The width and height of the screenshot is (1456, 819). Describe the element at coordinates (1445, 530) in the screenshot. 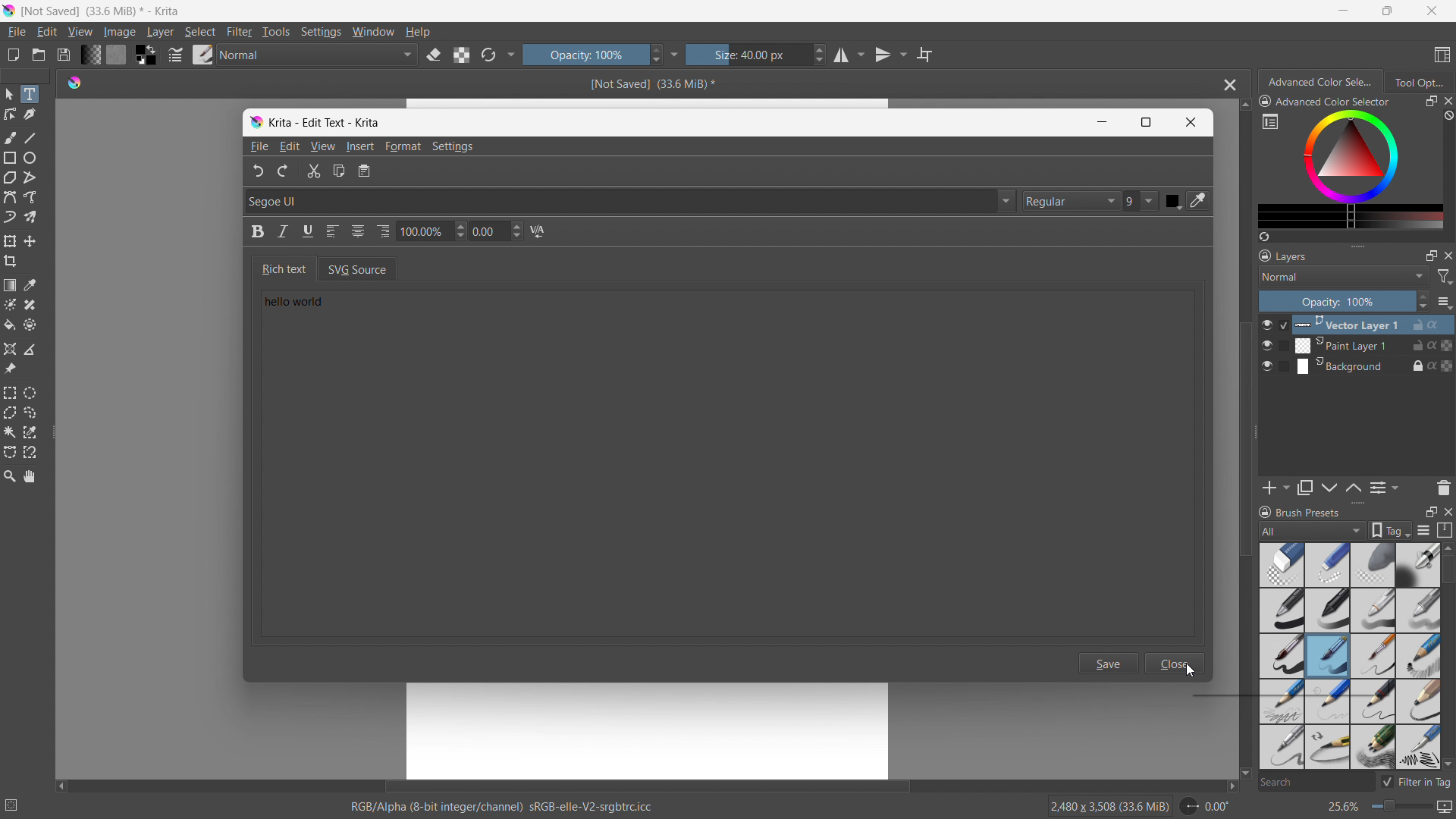

I see `storage resource` at that location.